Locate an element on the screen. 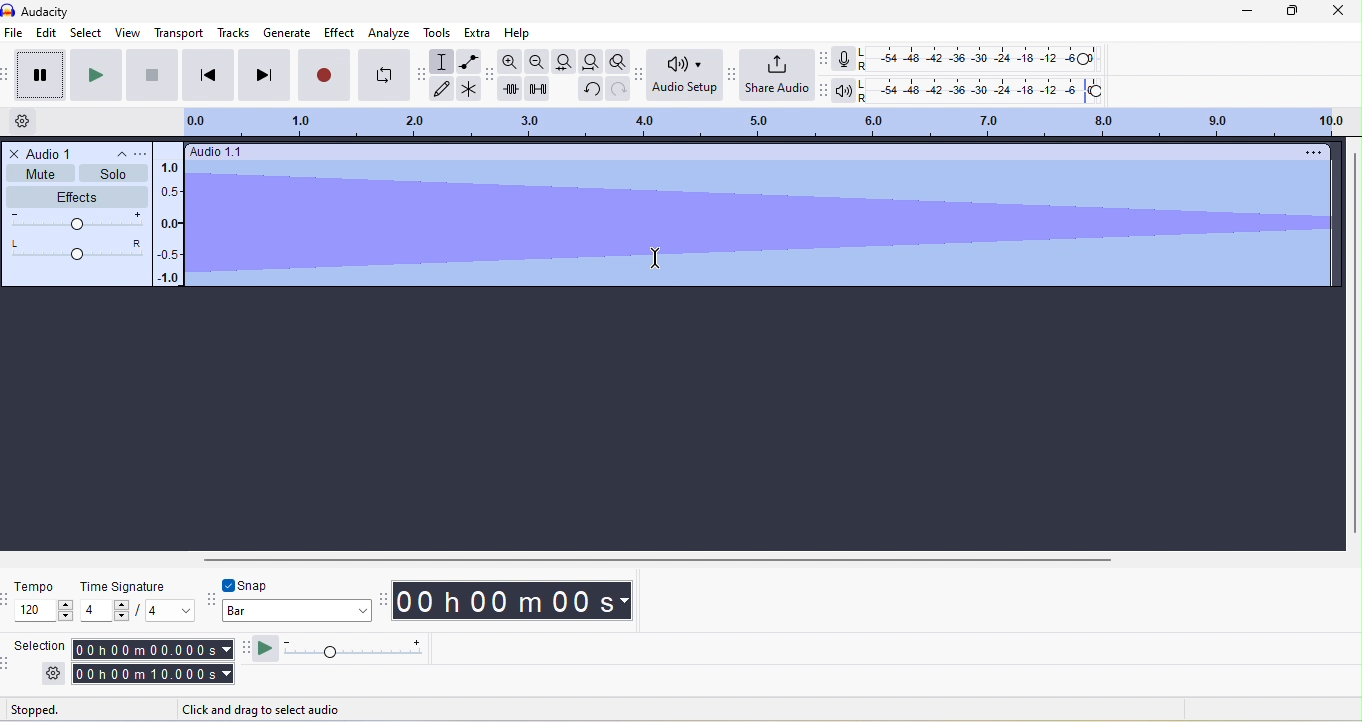 Image resolution: width=1362 pixels, height=722 pixels. skip to start is located at coordinates (205, 76).